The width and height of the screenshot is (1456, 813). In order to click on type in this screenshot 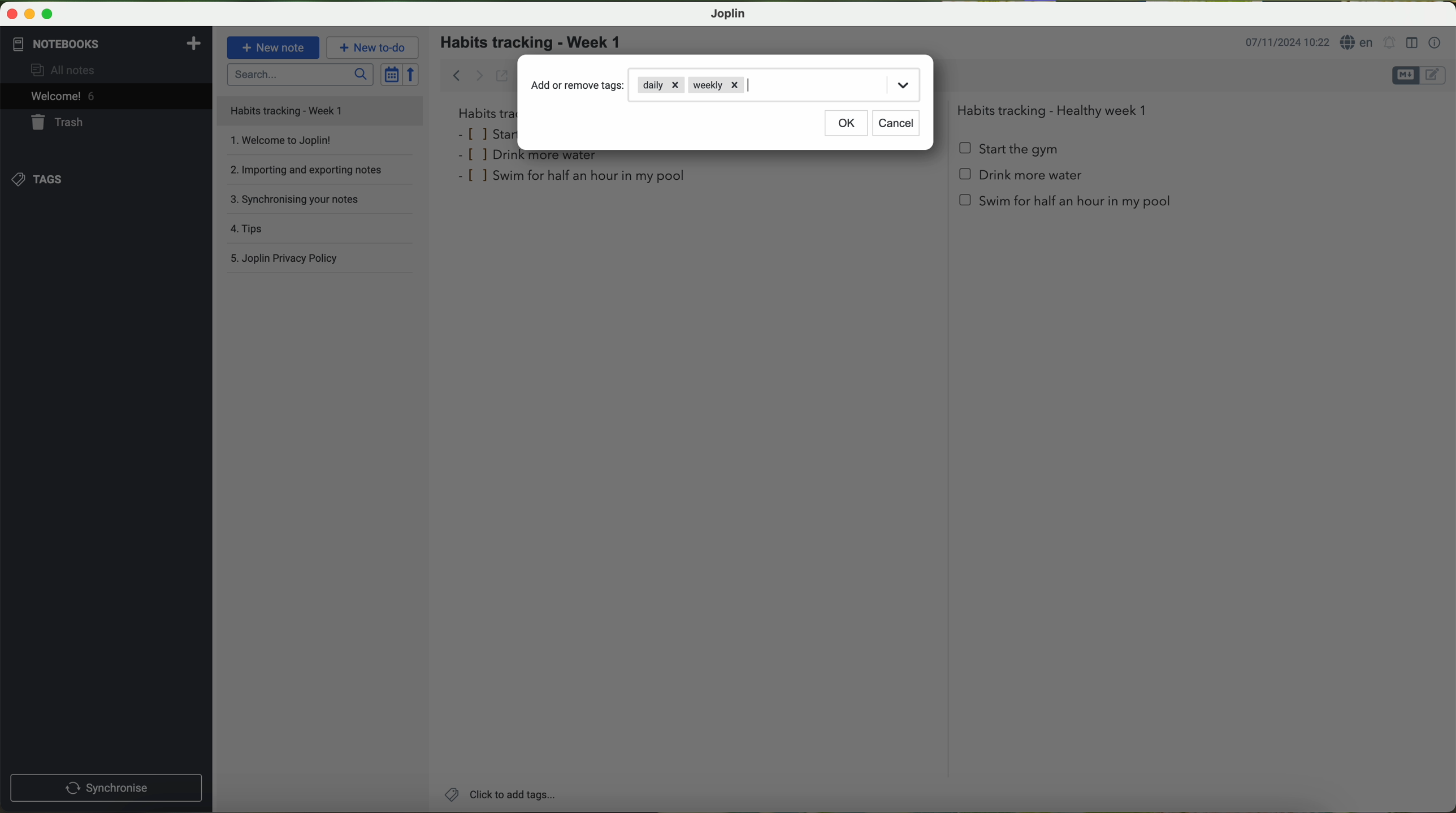, I will do `click(756, 85)`.